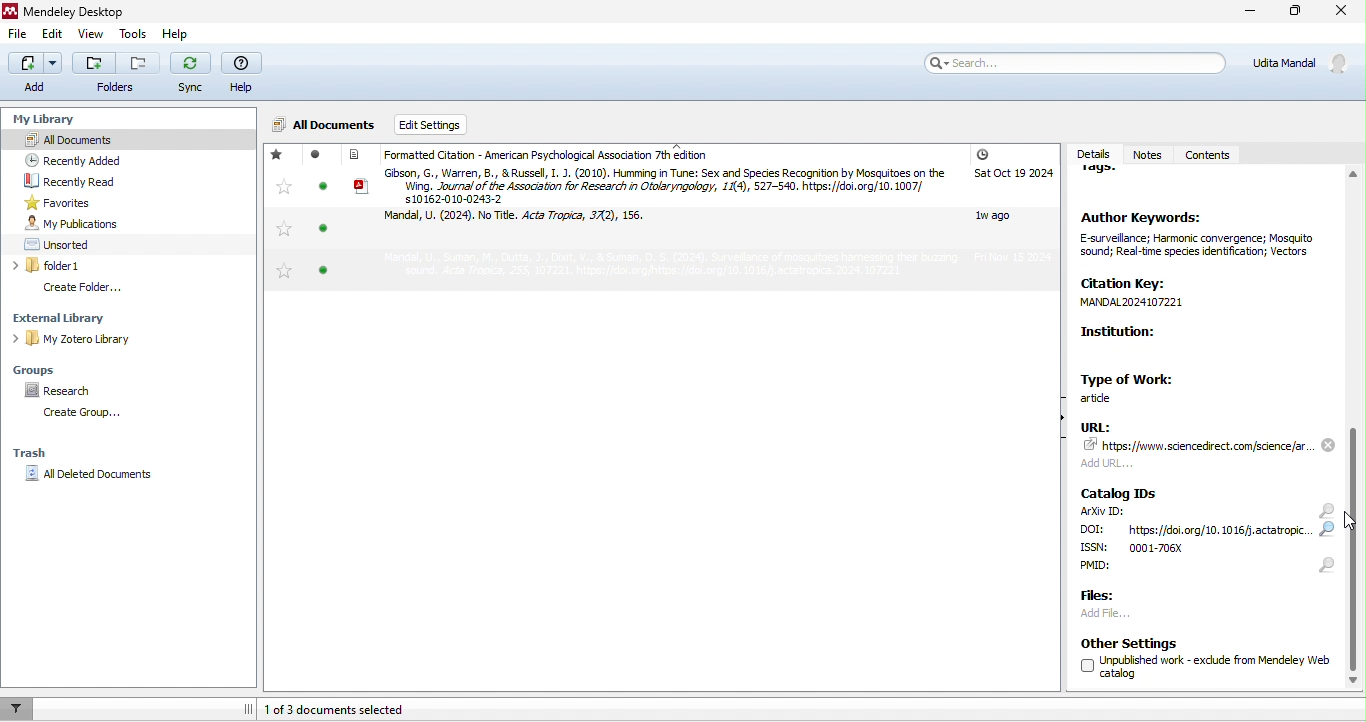 The width and height of the screenshot is (1366, 722). I want to click on recently added, so click(94, 160).